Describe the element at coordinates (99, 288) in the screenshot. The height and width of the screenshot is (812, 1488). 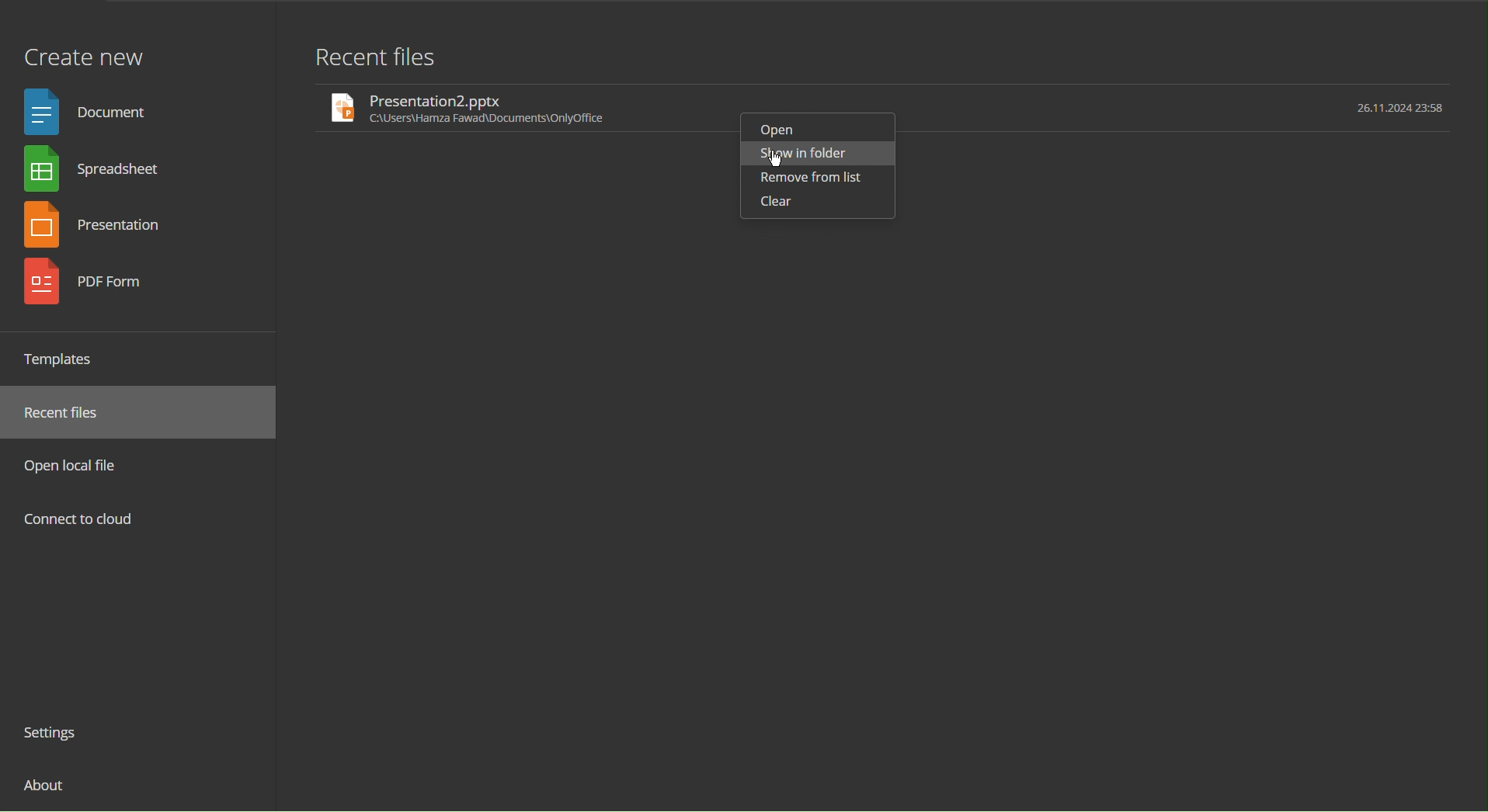
I see `PDF Form` at that location.